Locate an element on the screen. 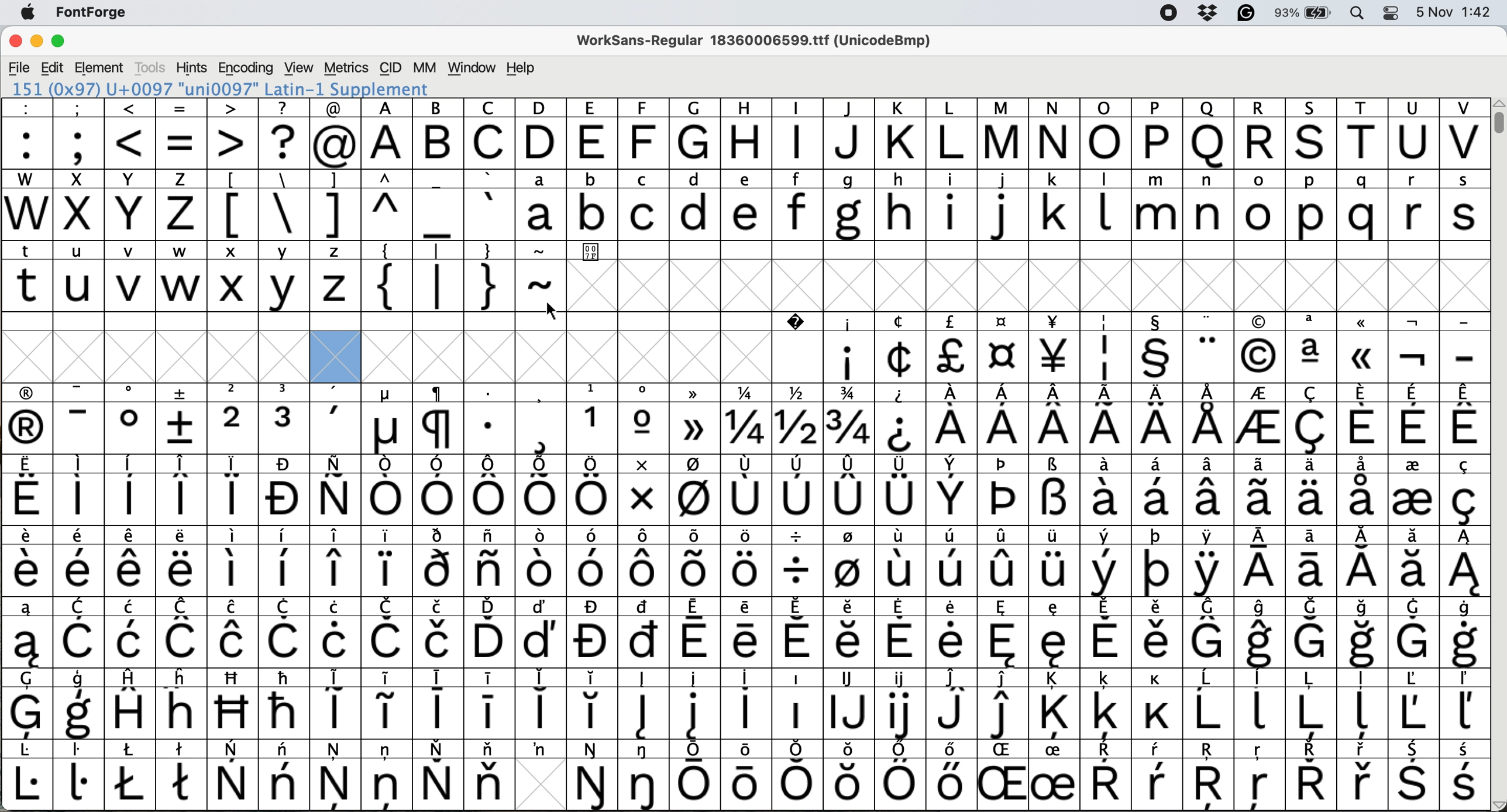 The height and width of the screenshot is (812, 1507). symbol is located at coordinates (1055, 490).